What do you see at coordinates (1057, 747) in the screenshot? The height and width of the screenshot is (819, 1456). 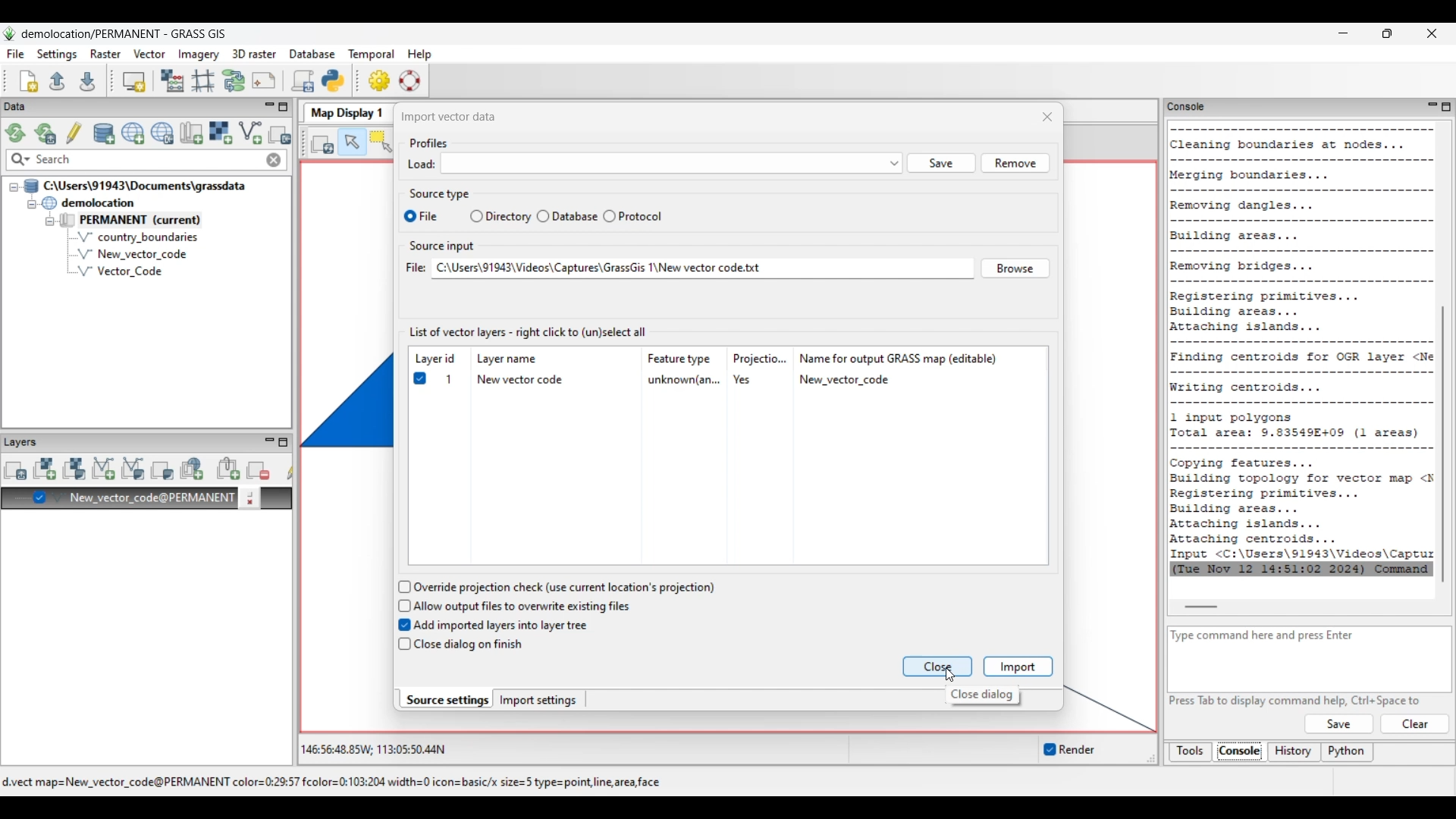 I see `reminder` at bounding box center [1057, 747].